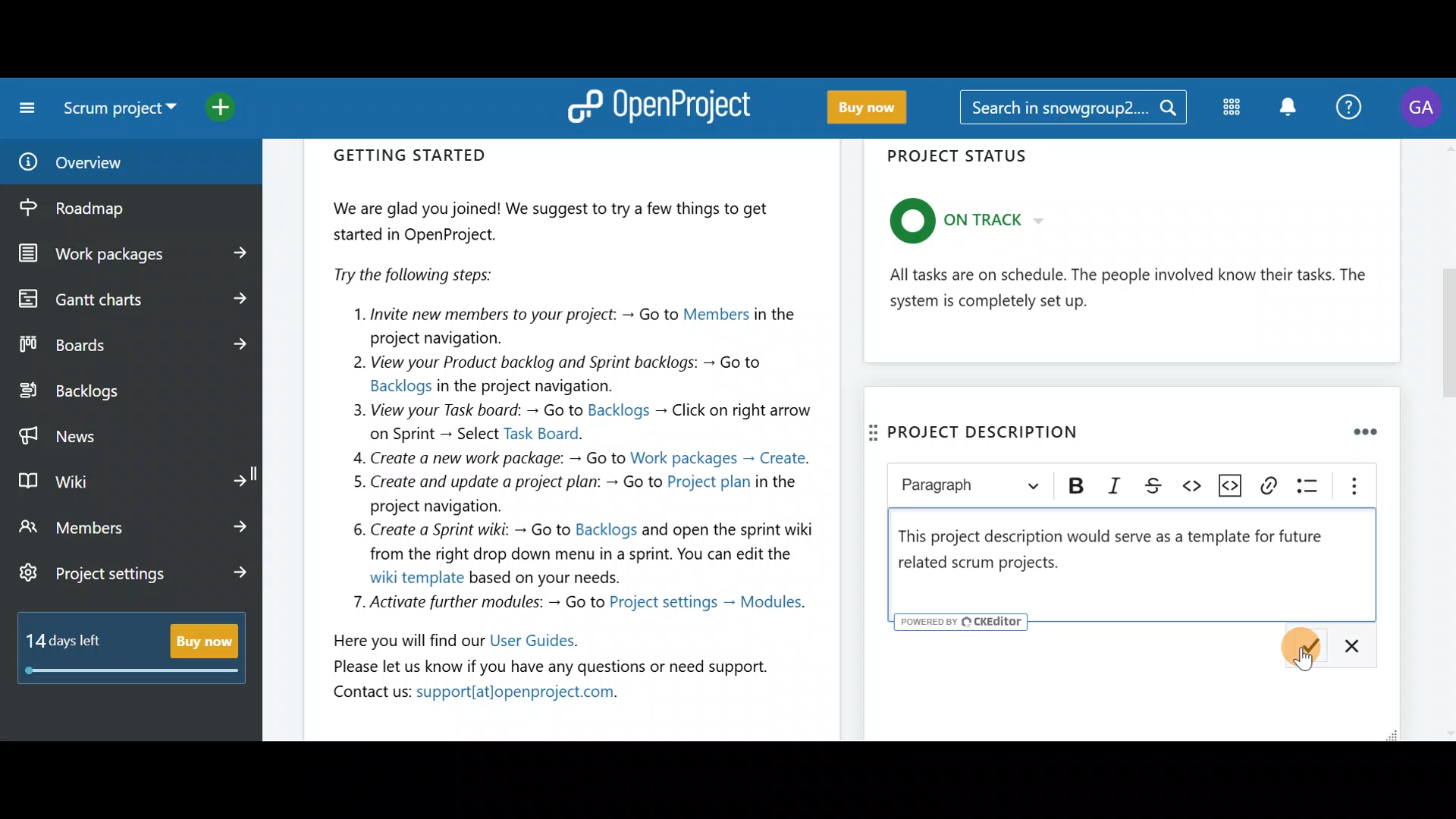  I want to click on Description: Cancel, so click(1359, 642).